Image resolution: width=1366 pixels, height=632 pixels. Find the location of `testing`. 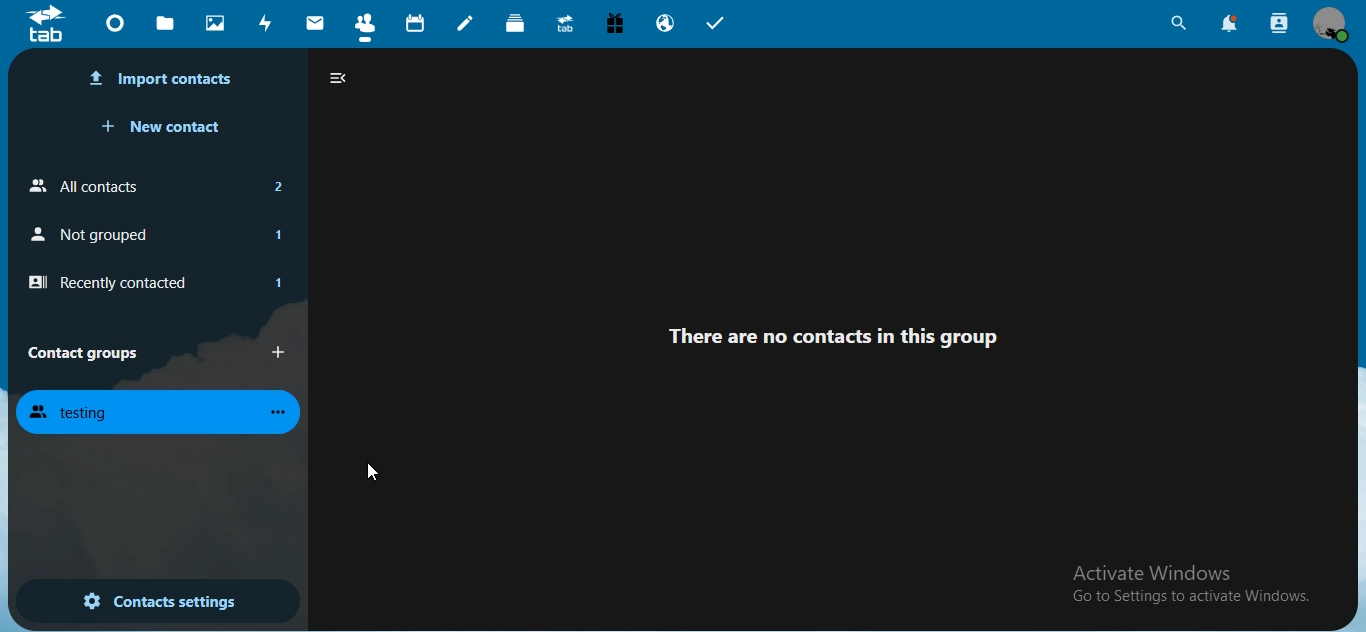

testing is located at coordinates (161, 414).